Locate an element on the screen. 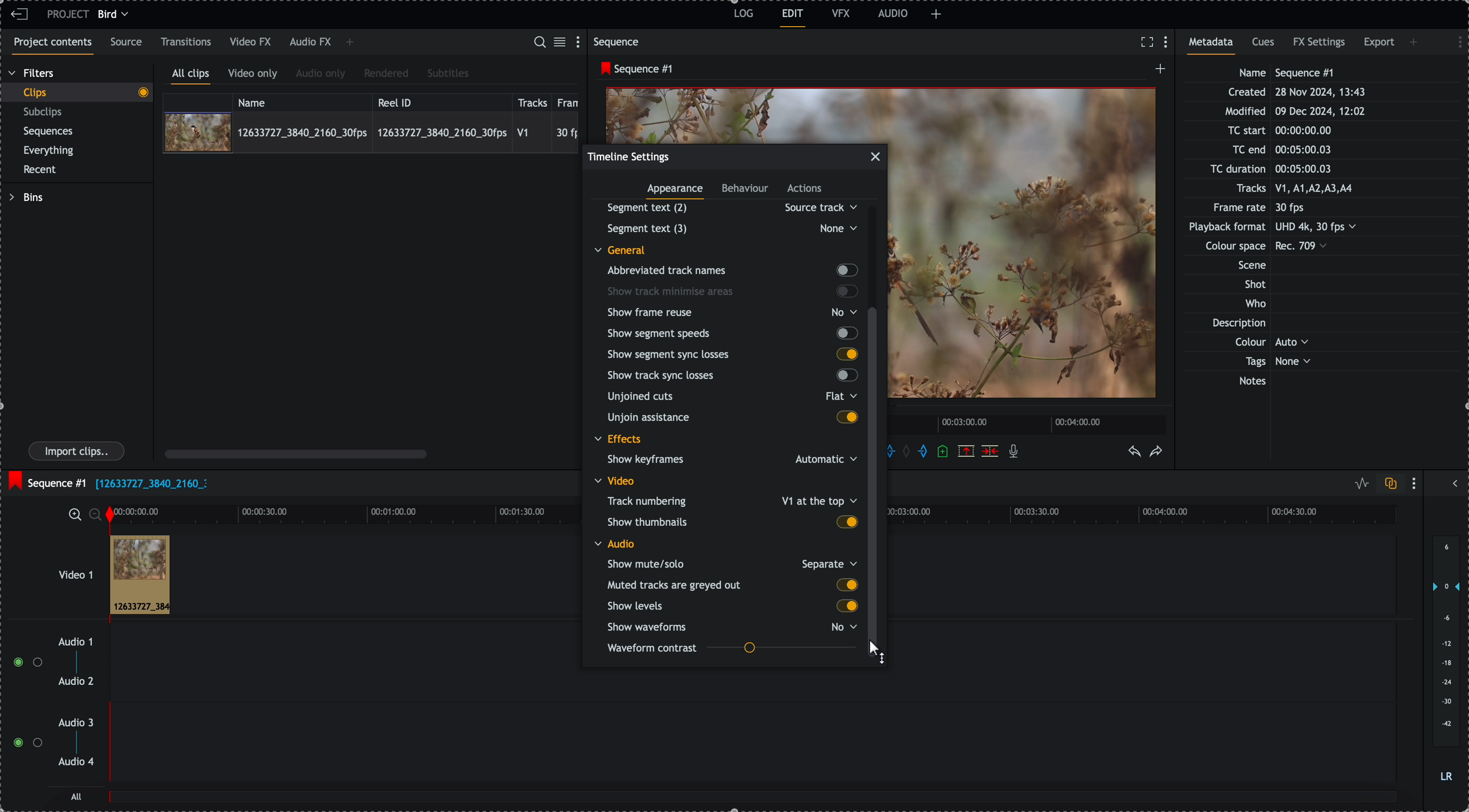 Image resolution: width=1469 pixels, height=812 pixels. behaviour is located at coordinates (746, 190).